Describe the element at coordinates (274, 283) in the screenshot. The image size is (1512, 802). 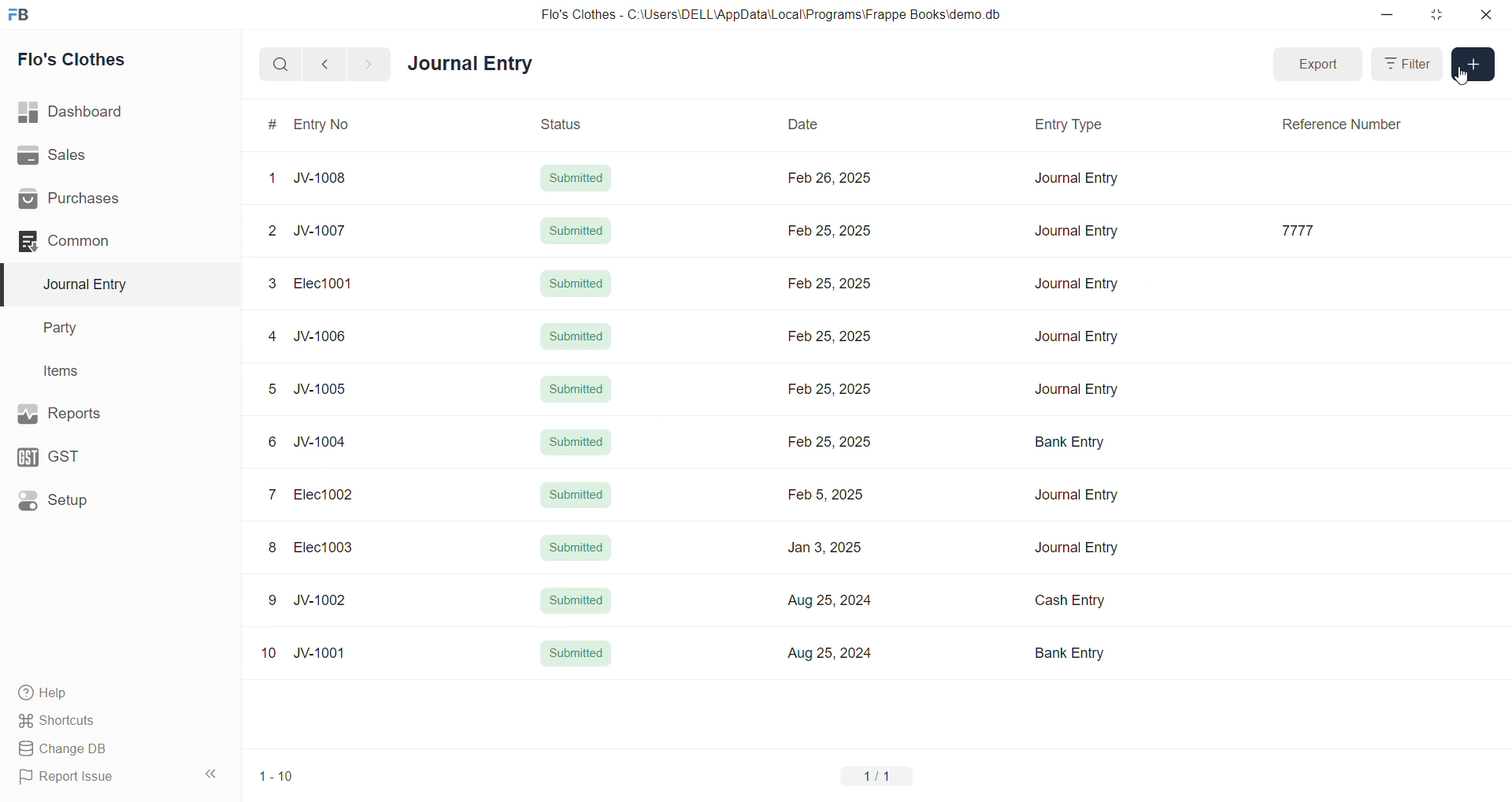
I see `3` at that location.